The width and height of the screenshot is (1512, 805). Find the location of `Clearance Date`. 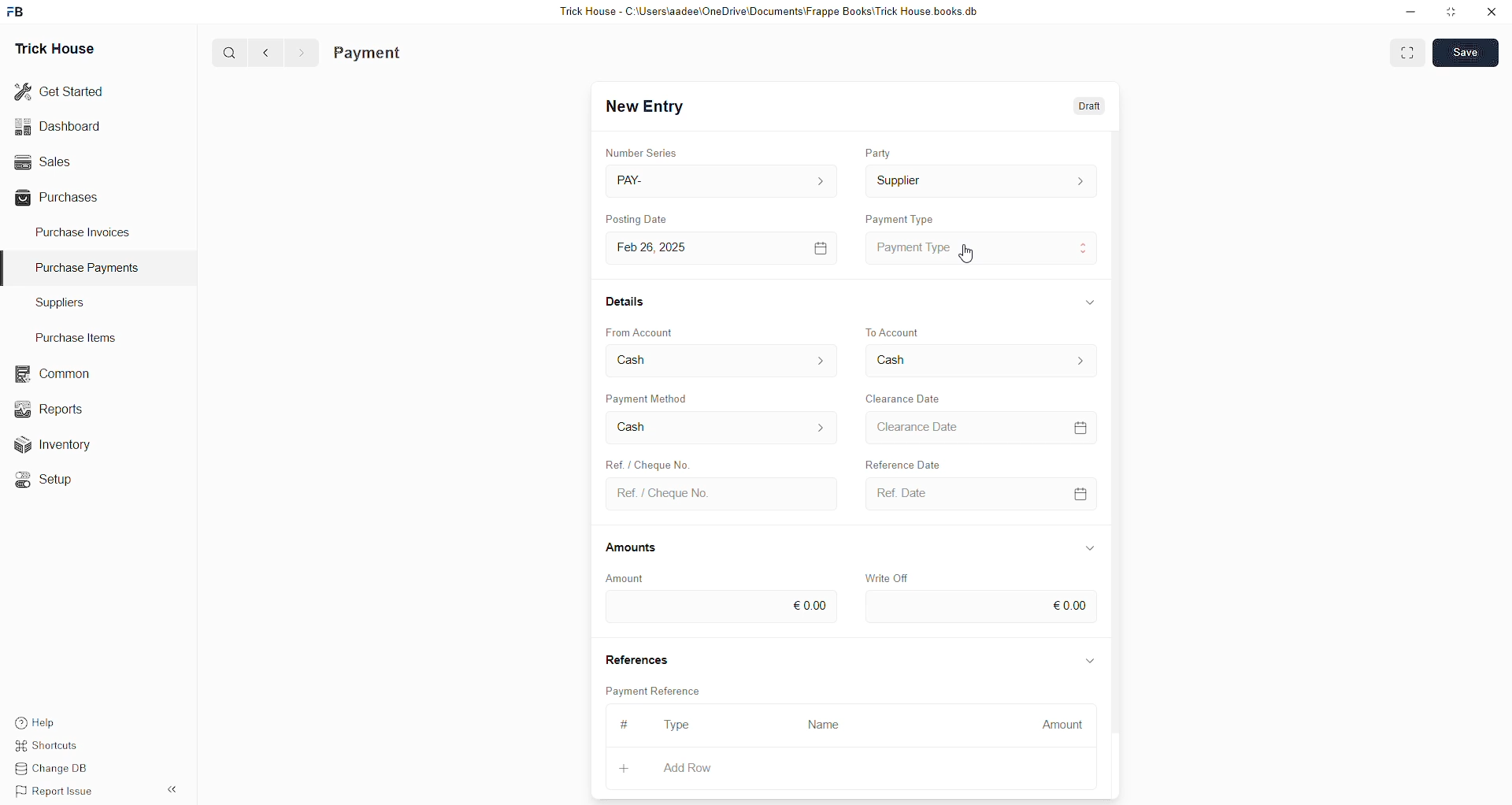

Clearance Date is located at coordinates (905, 397).